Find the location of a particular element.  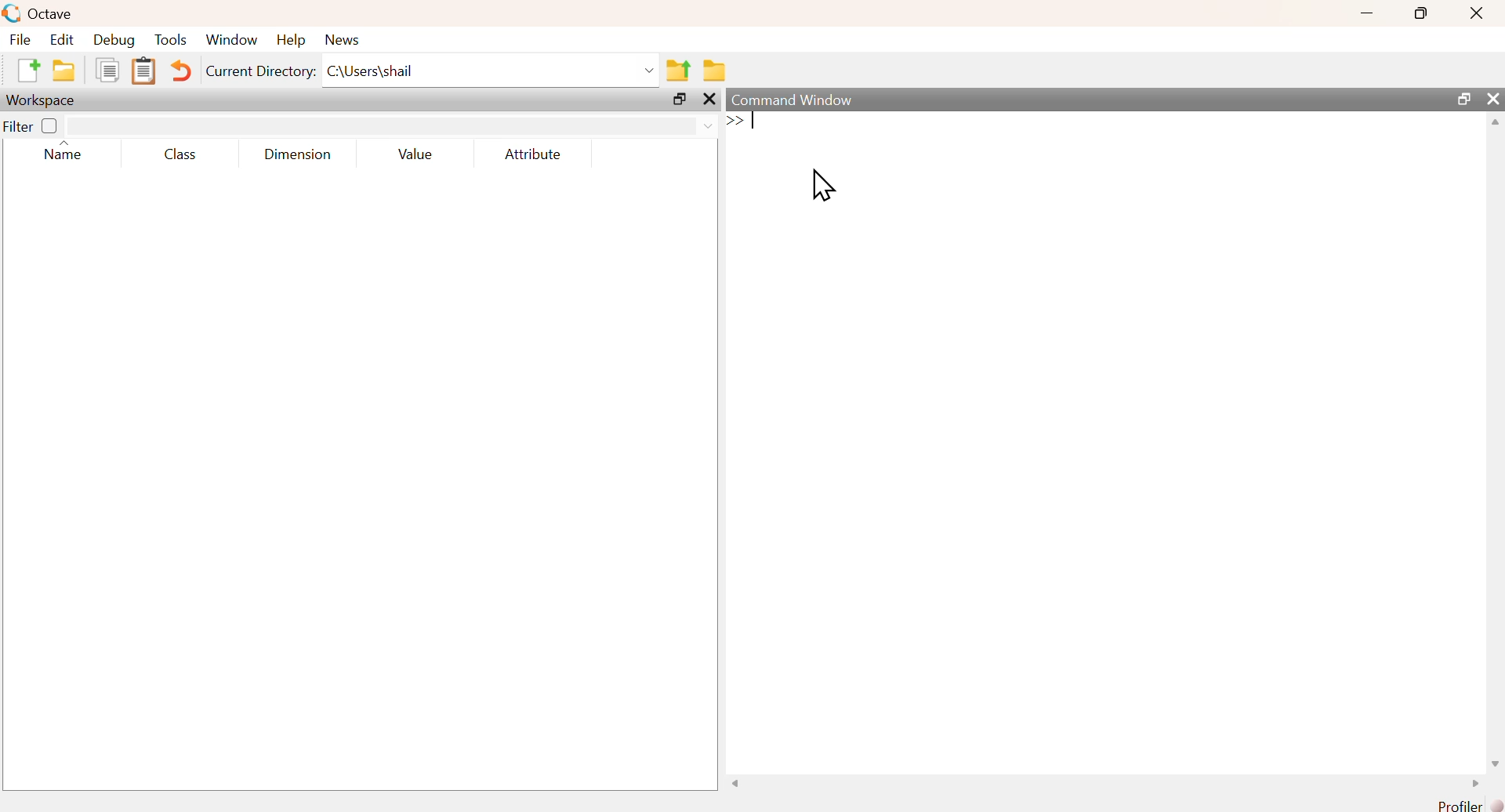

Tools is located at coordinates (172, 39).